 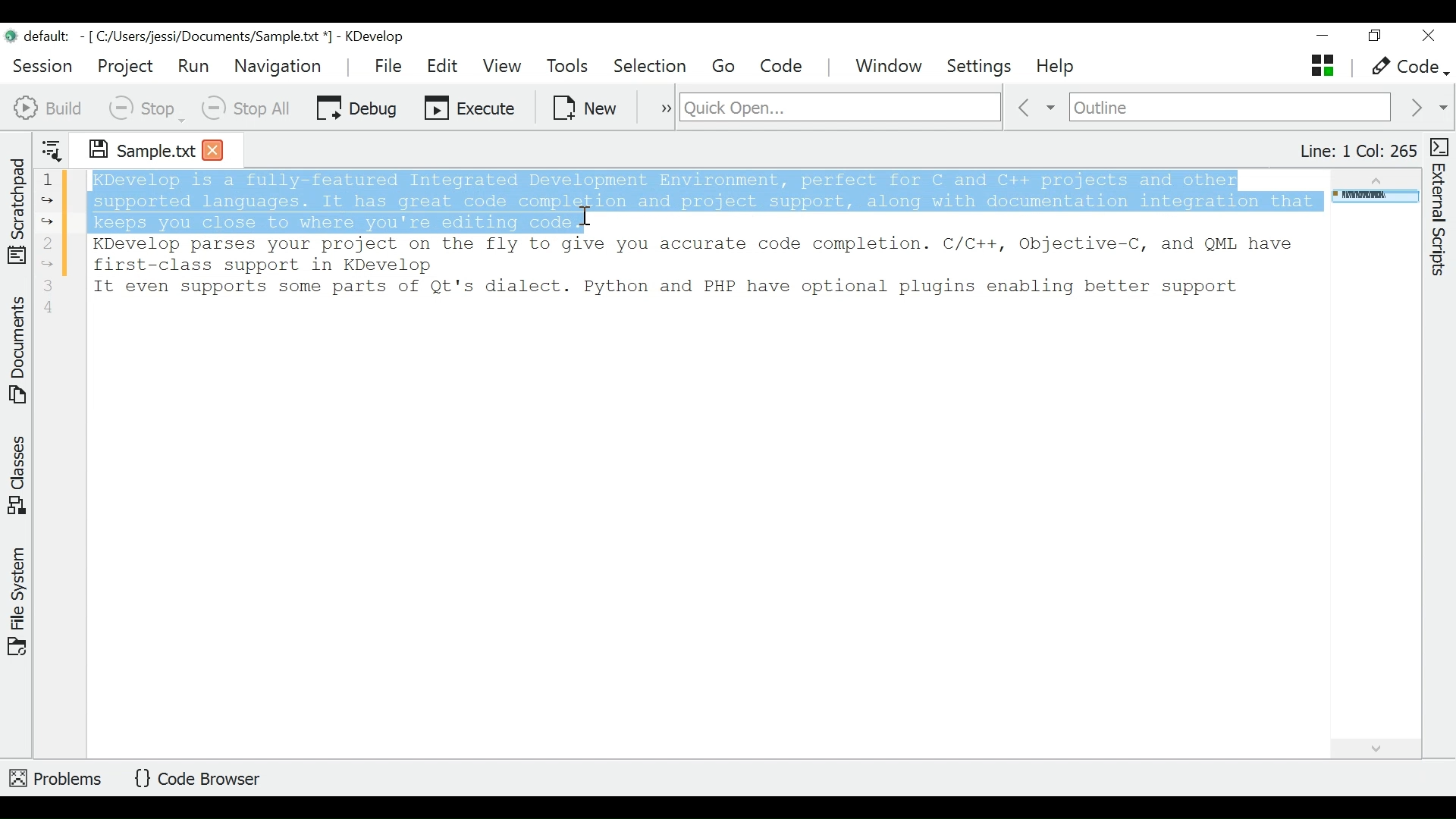 What do you see at coordinates (193, 65) in the screenshot?
I see `Run` at bounding box center [193, 65].